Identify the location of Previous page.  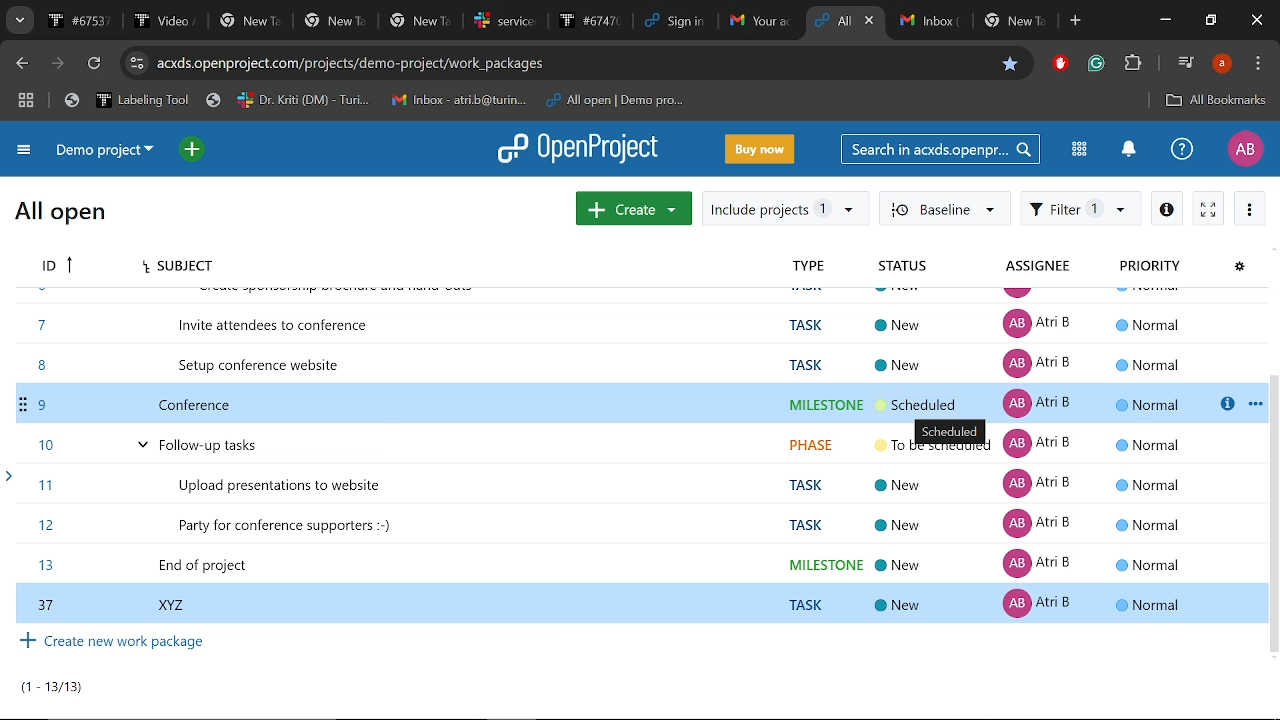
(25, 65).